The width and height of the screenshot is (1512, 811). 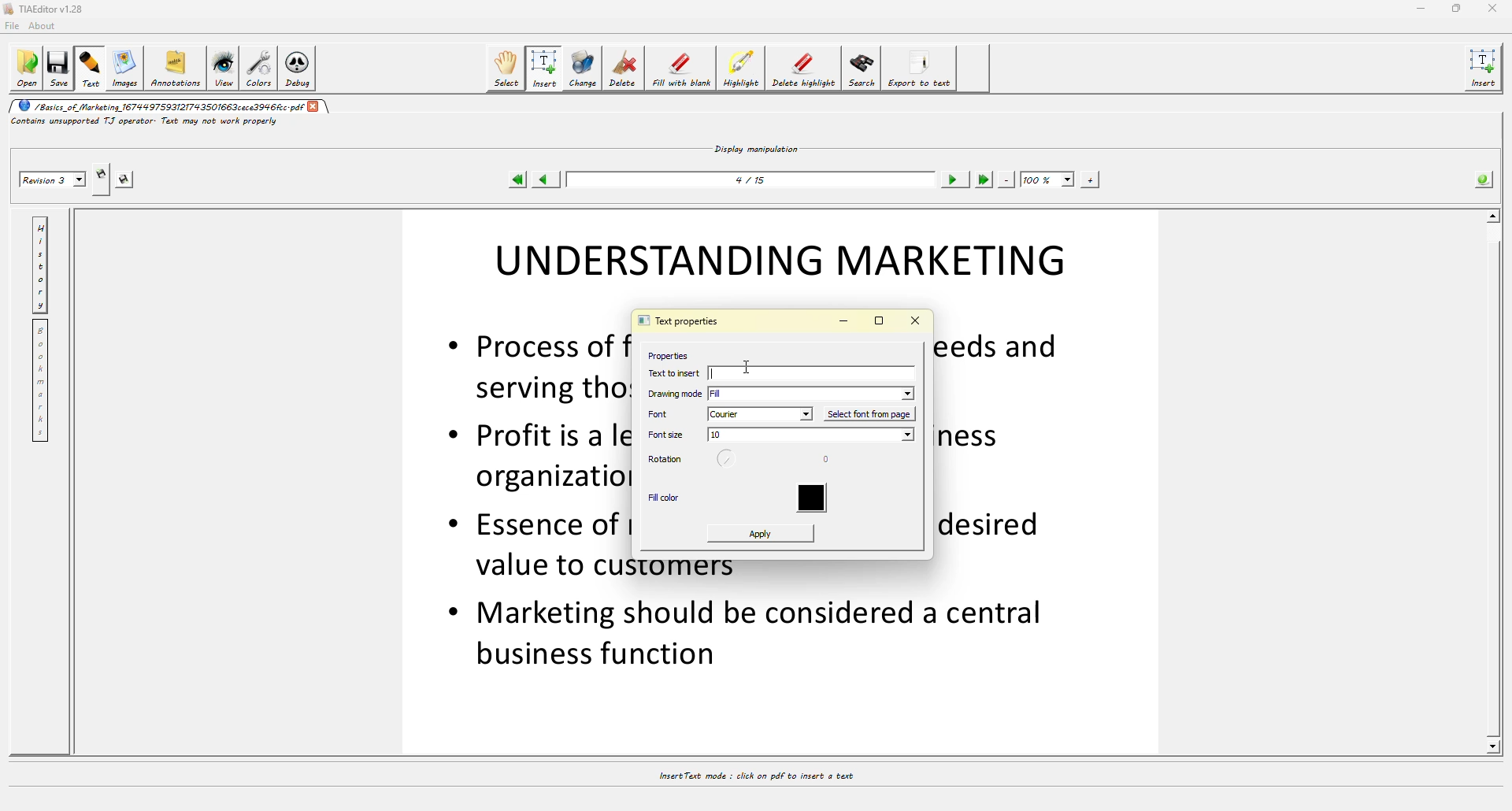 What do you see at coordinates (666, 354) in the screenshot?
I see `properties` at bounding box center [666, 354].